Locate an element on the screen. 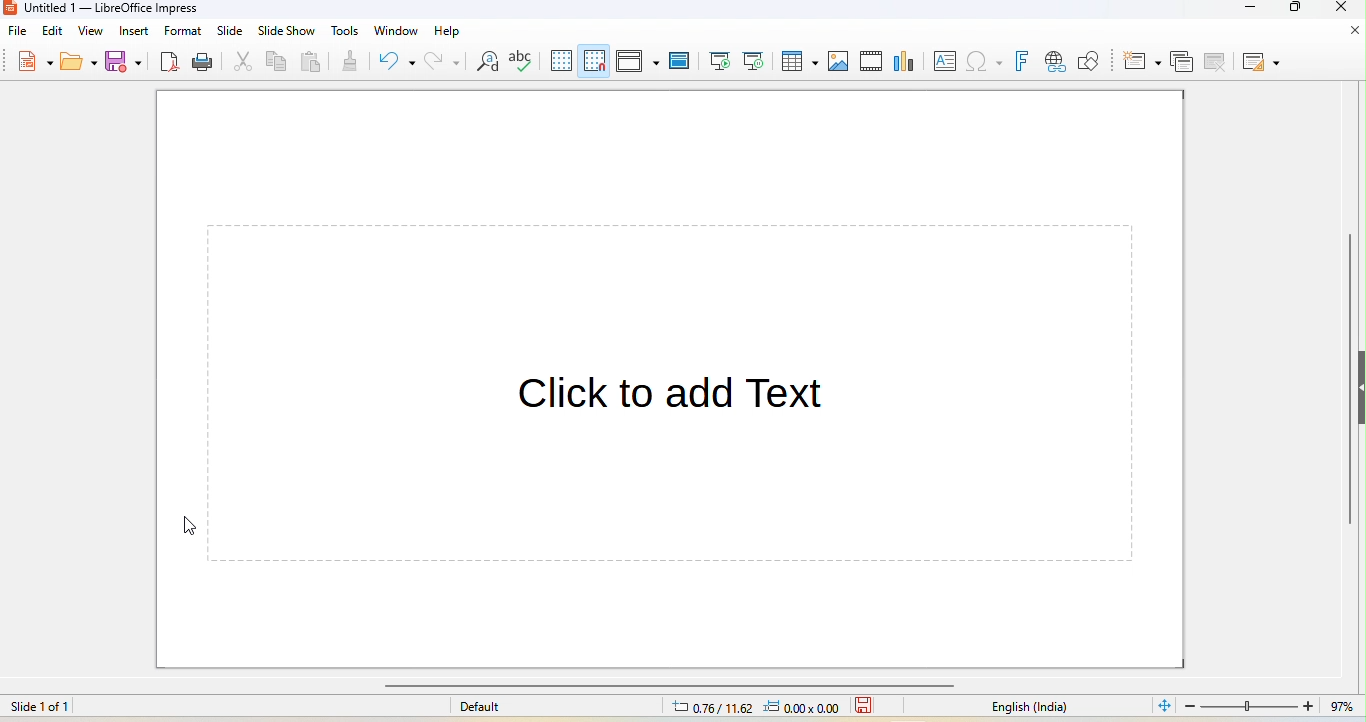 Image resolution: width=1366 pixels, height=722 pixels. window is located at coordinates (396, 31).